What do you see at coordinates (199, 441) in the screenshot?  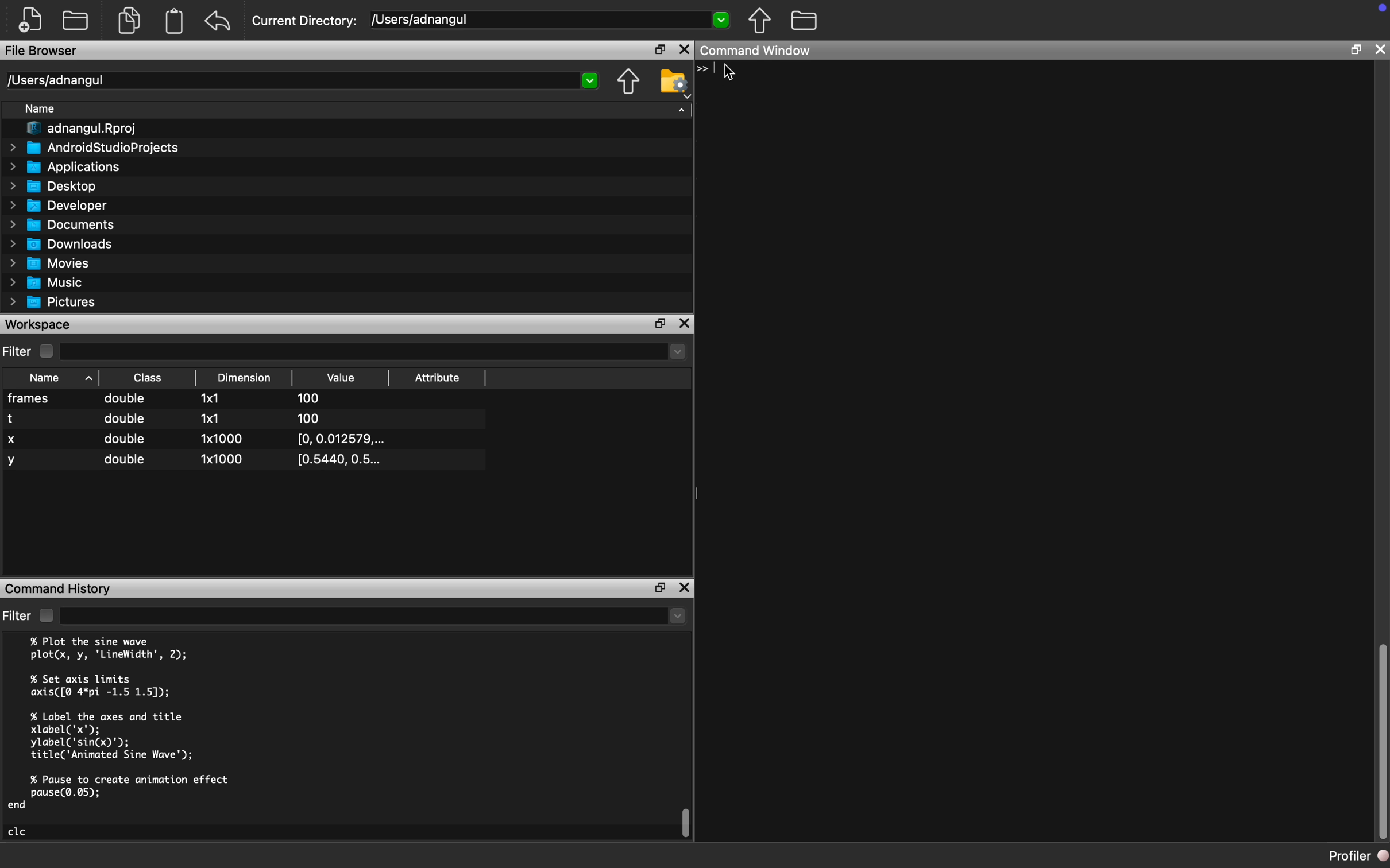 I see `X double 1x1000 [0, 0.012579,...` at bounding box center [199, 441].